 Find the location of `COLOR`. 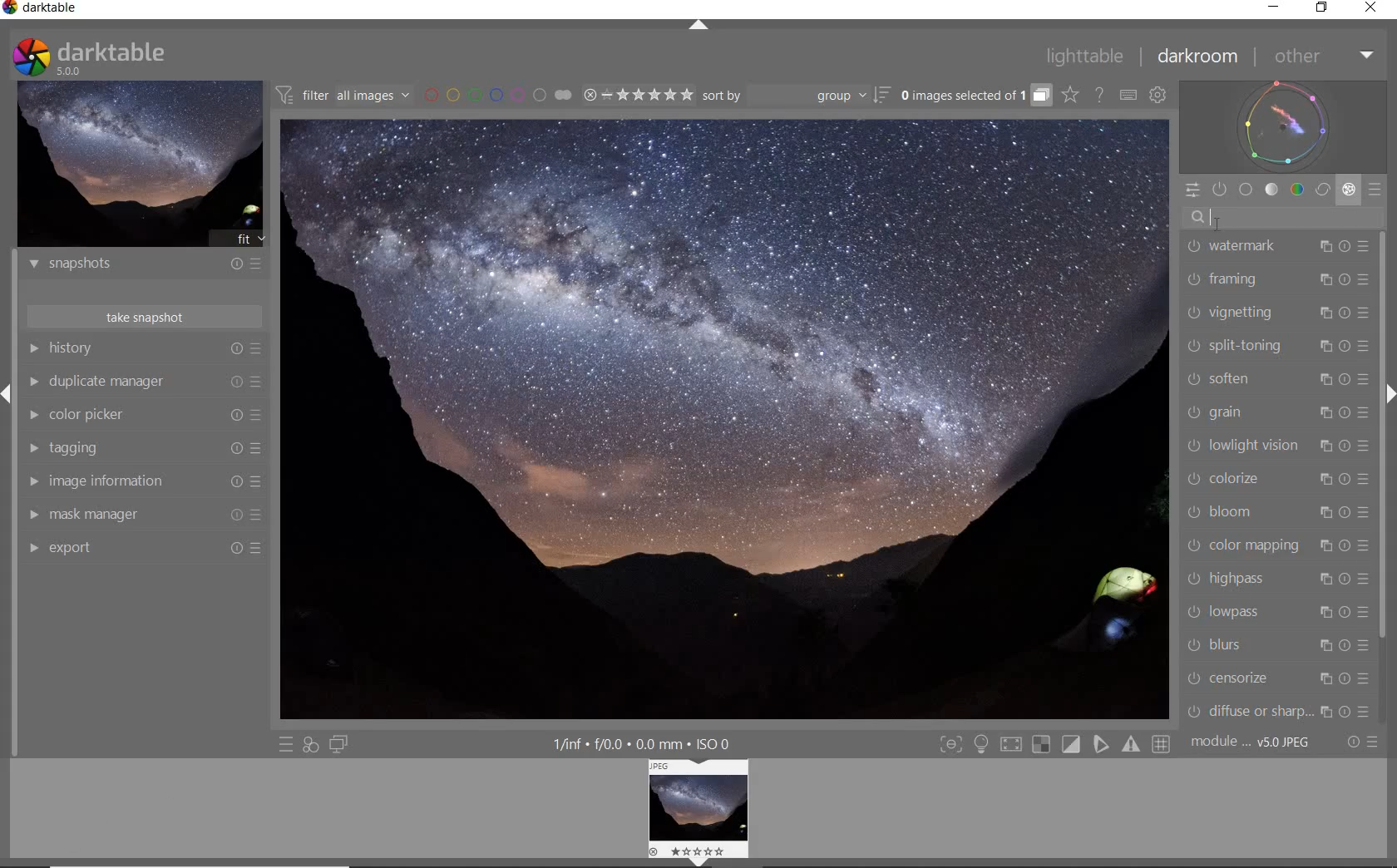

COLOR is located at coordinates (1298, 190).